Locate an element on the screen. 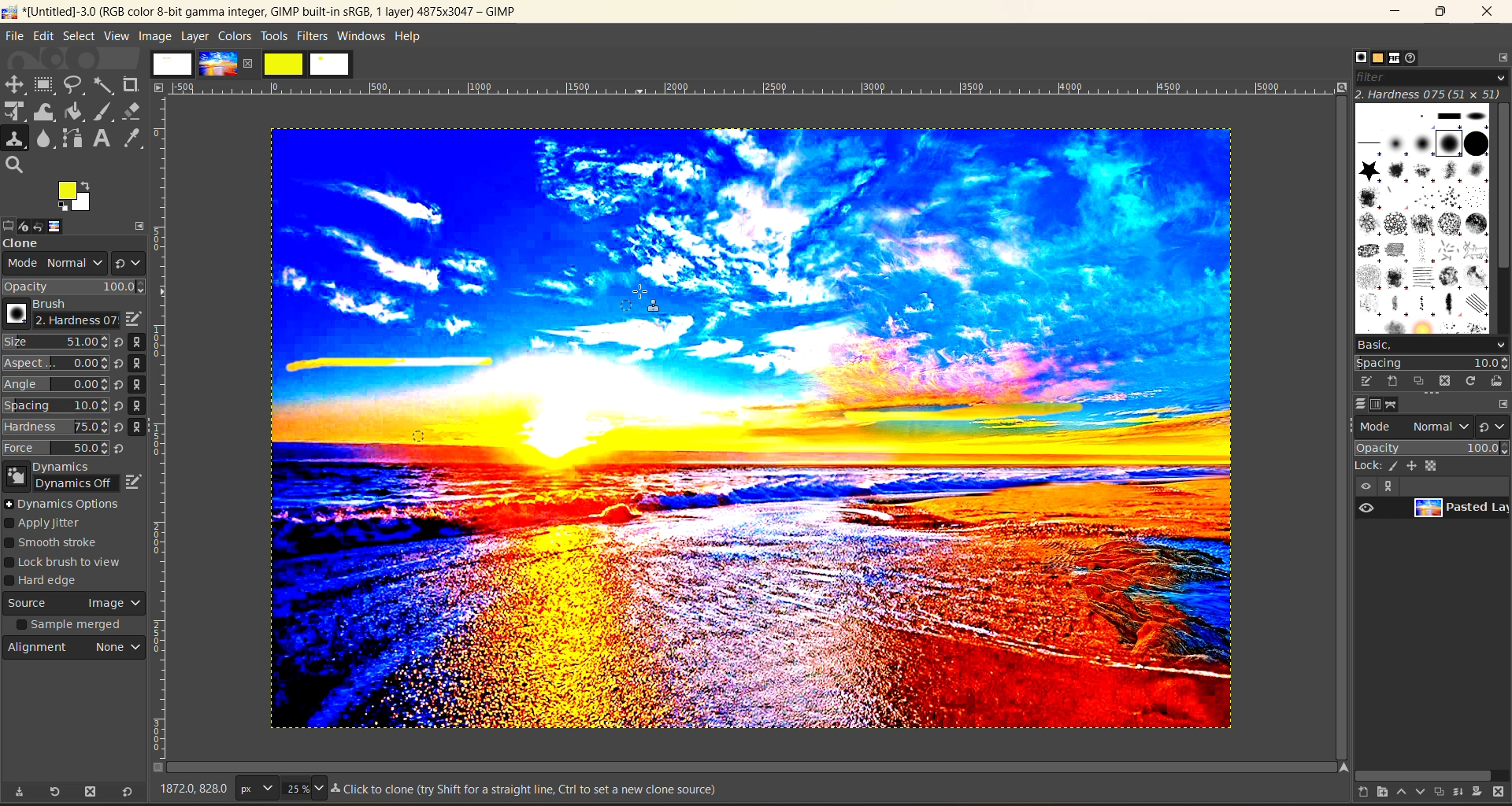 The image size is (1512, 806). clone is located at coordinates (35, 245).